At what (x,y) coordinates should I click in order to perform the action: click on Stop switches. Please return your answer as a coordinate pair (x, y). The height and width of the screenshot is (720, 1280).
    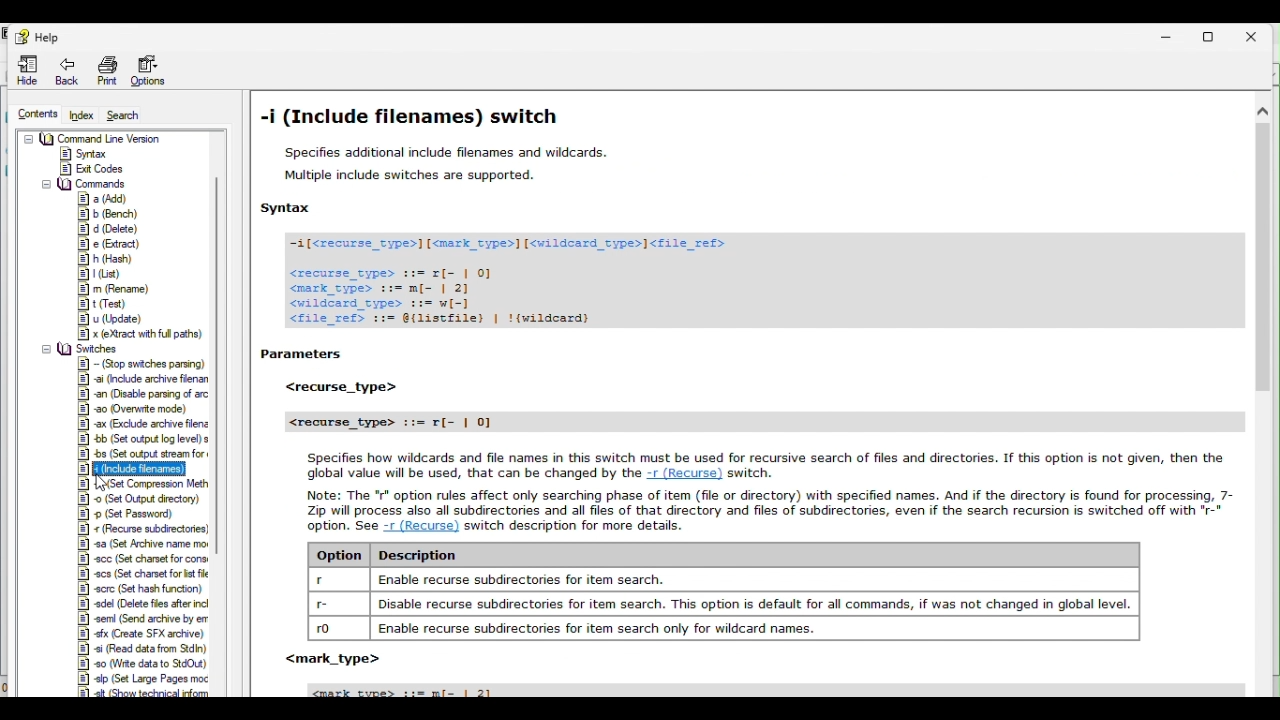
    Looking at the image, I should click on (140, 364).